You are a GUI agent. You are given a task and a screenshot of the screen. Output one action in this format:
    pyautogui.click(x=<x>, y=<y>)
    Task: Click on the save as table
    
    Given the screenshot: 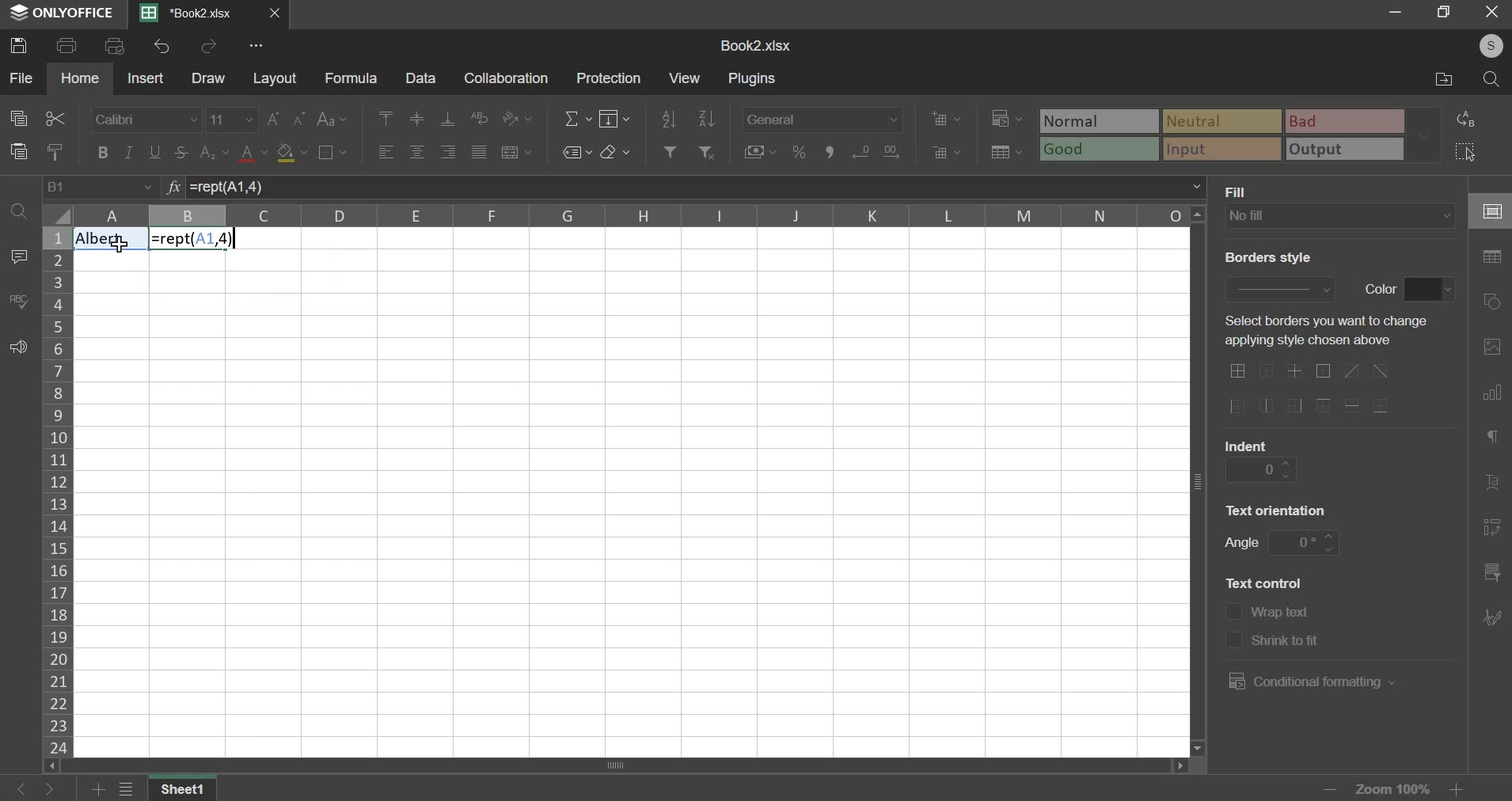 What is the action you would take?
    pyautogui.click(x=1006, y=152)
    